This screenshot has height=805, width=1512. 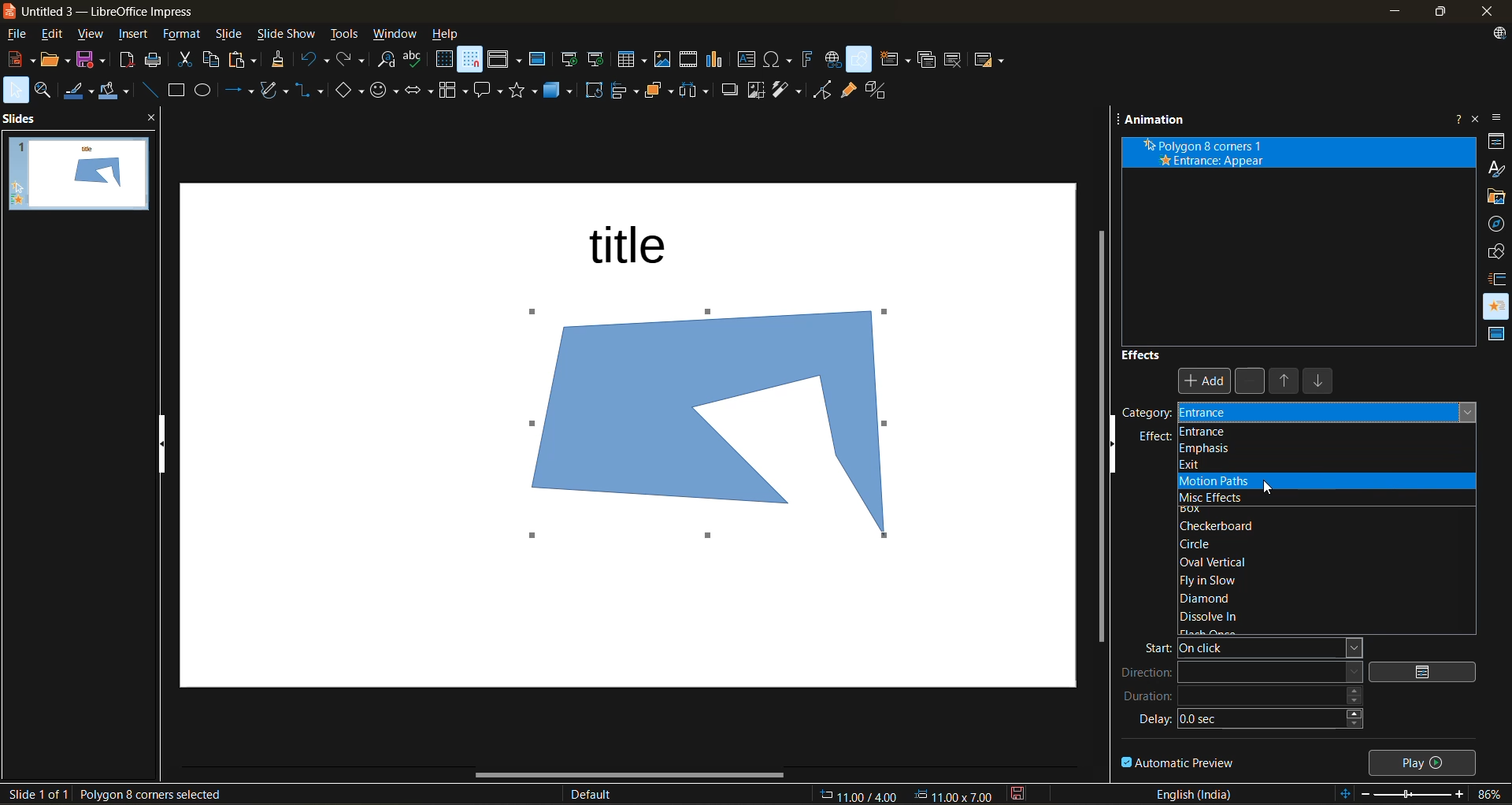 I want to click on text language, so click(x=1203, y=793).